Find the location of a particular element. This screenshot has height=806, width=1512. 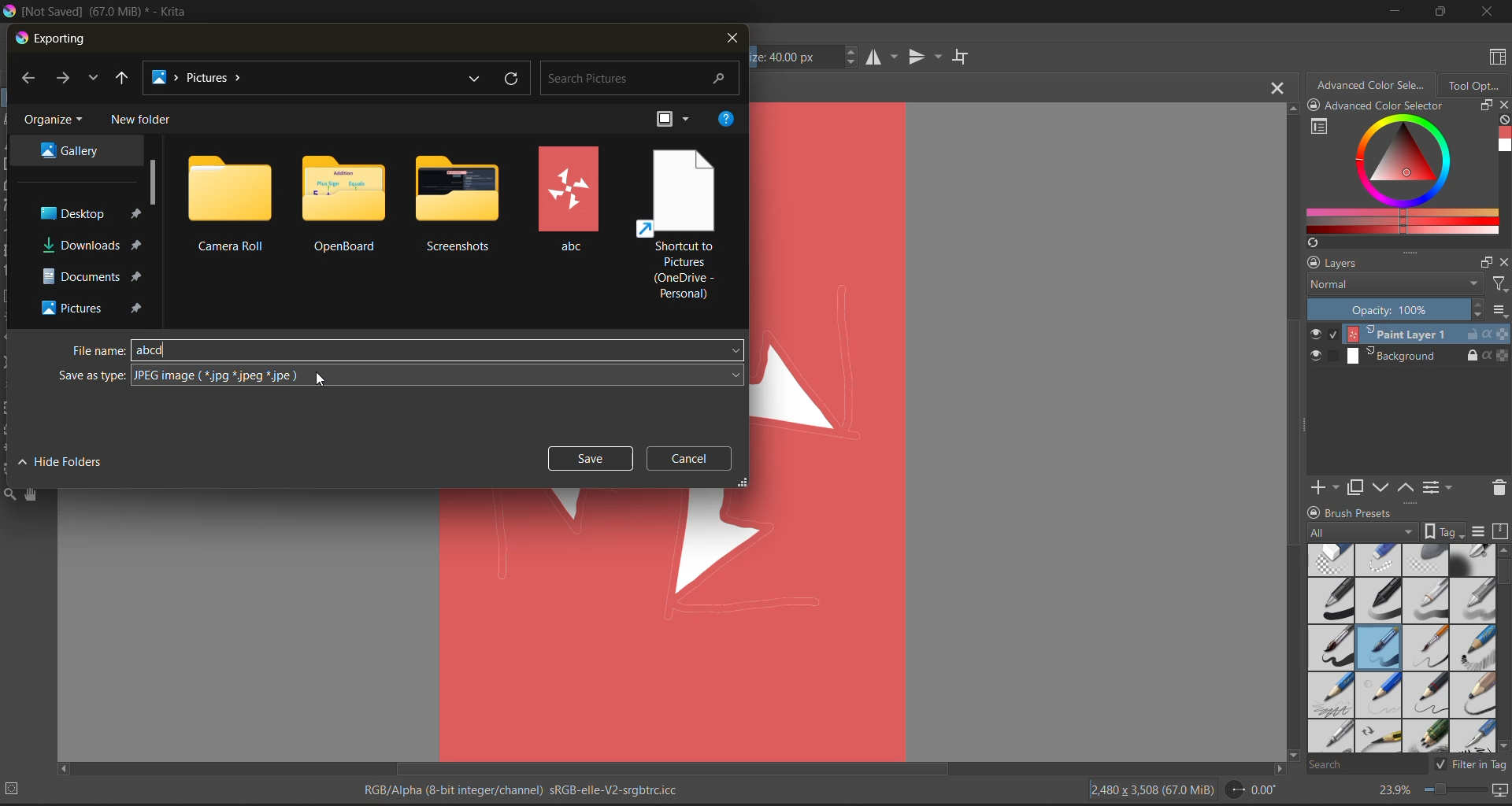

file destination is located at coordinates (91, 306).